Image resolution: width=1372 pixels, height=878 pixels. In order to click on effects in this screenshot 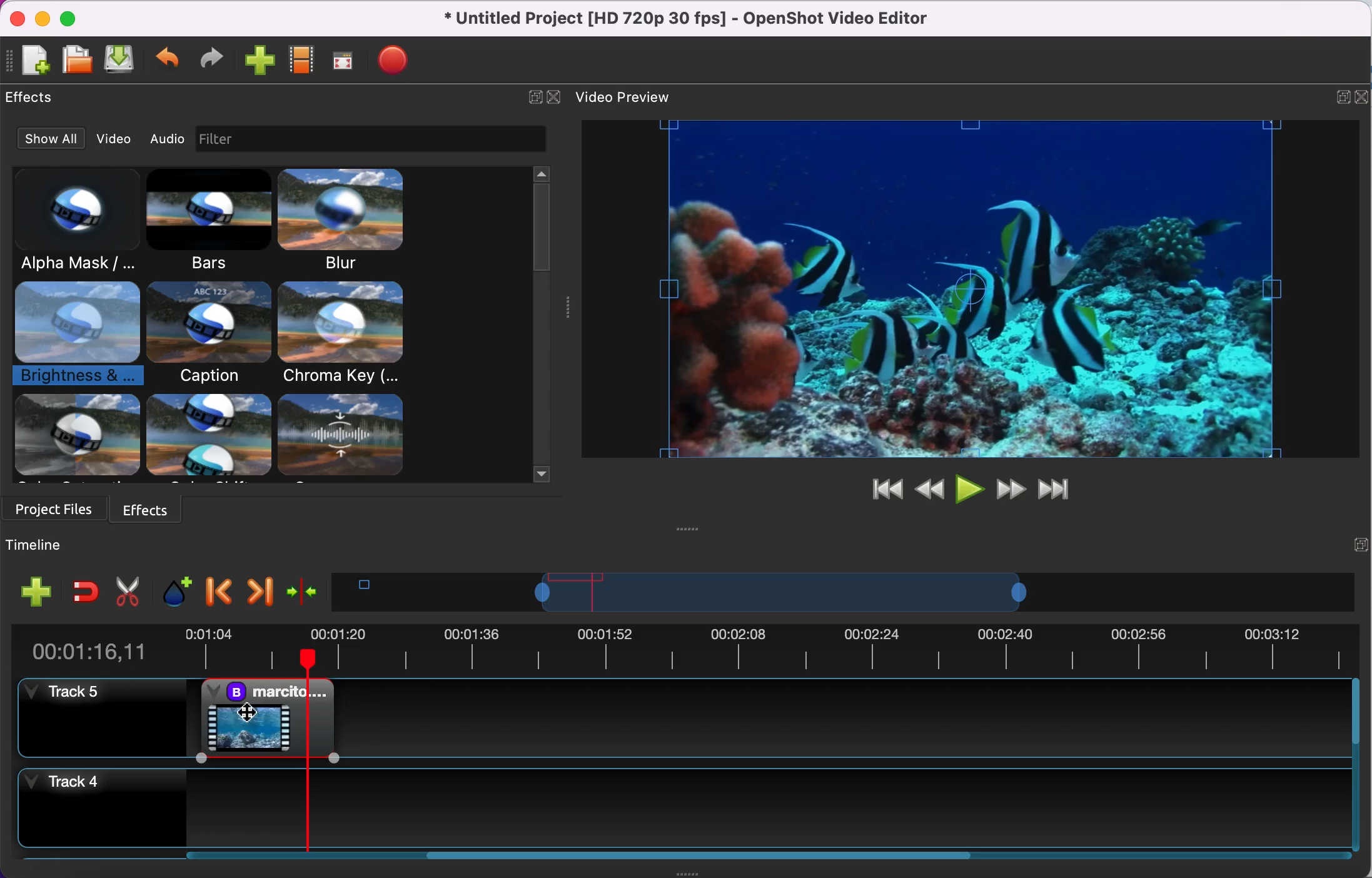, I will do `click(149, 507)`.